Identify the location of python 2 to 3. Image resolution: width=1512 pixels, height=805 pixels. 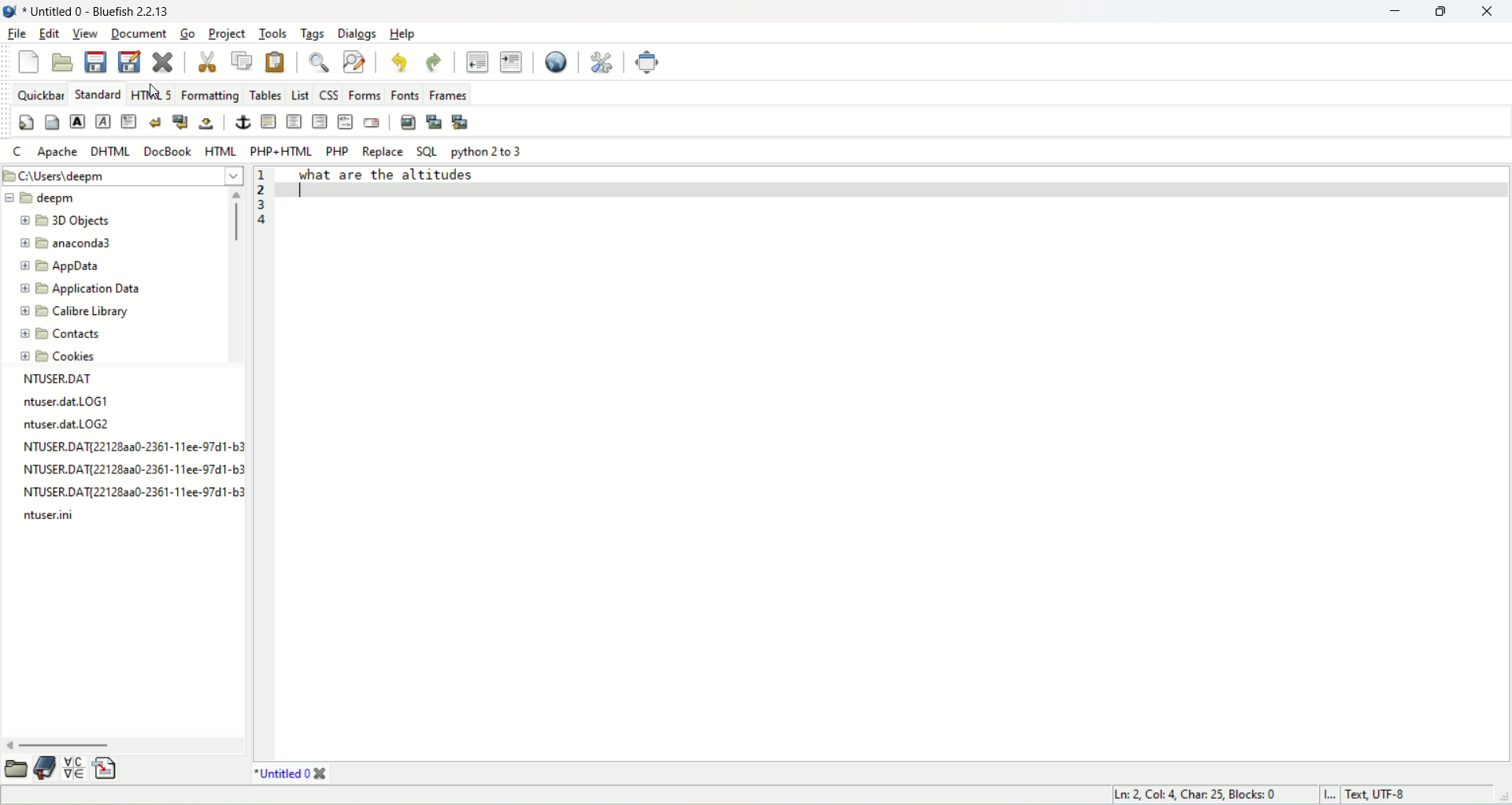
(488, 153).